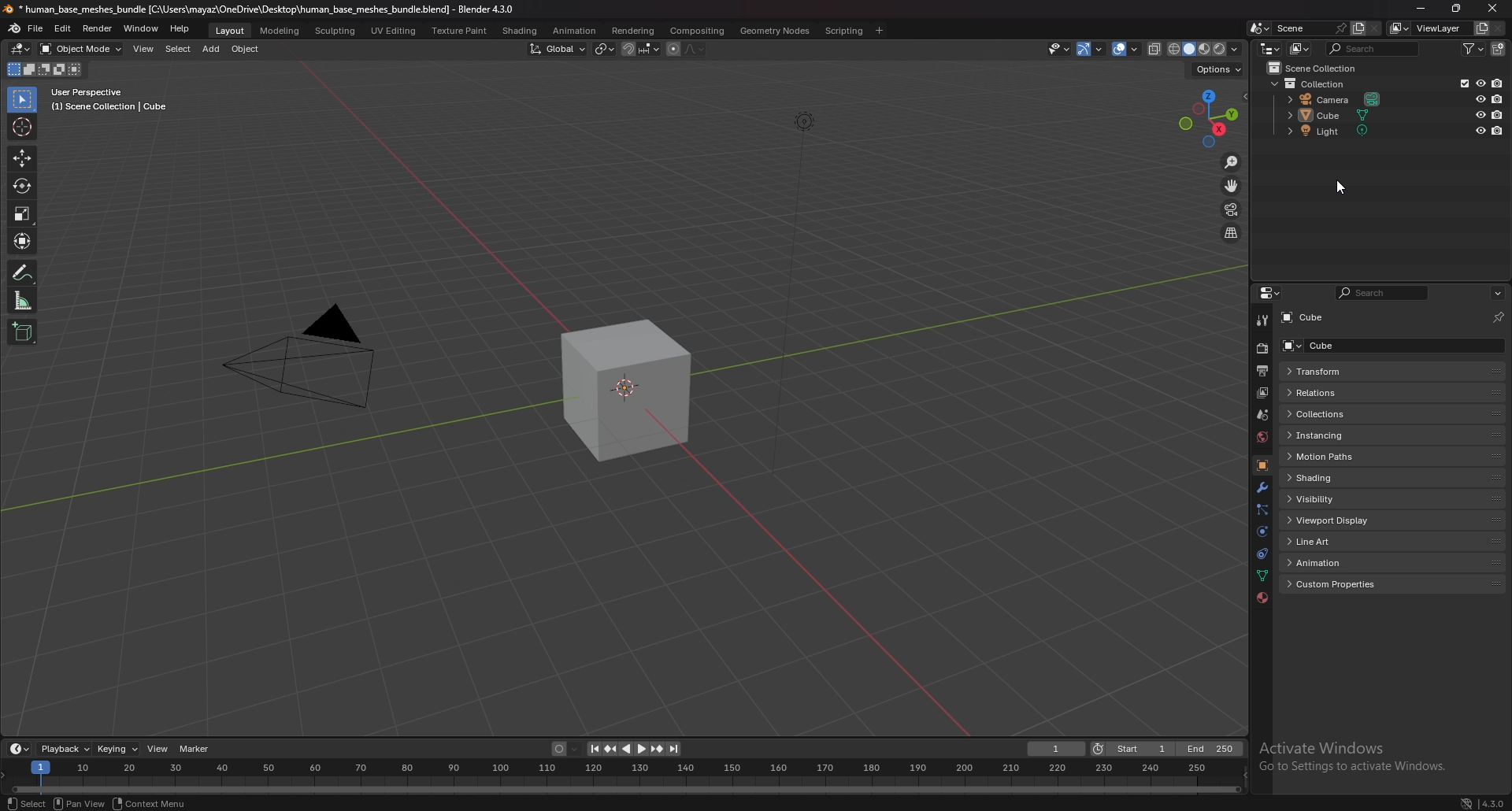 The image size is (1512, 811). I want to click on transform pivot point, so click(605, 49).